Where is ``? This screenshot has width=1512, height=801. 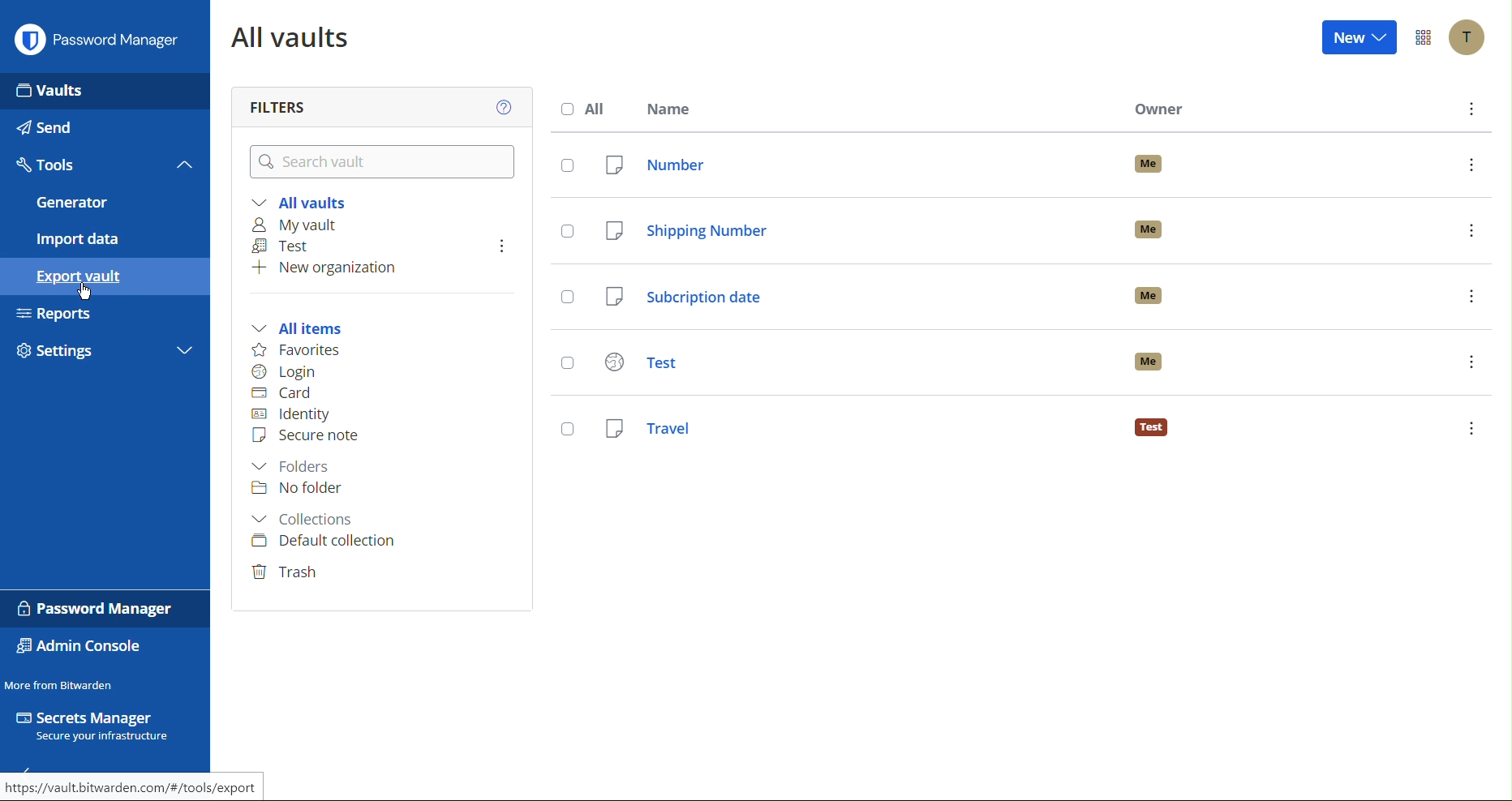  is located at coordinates (567, 166).